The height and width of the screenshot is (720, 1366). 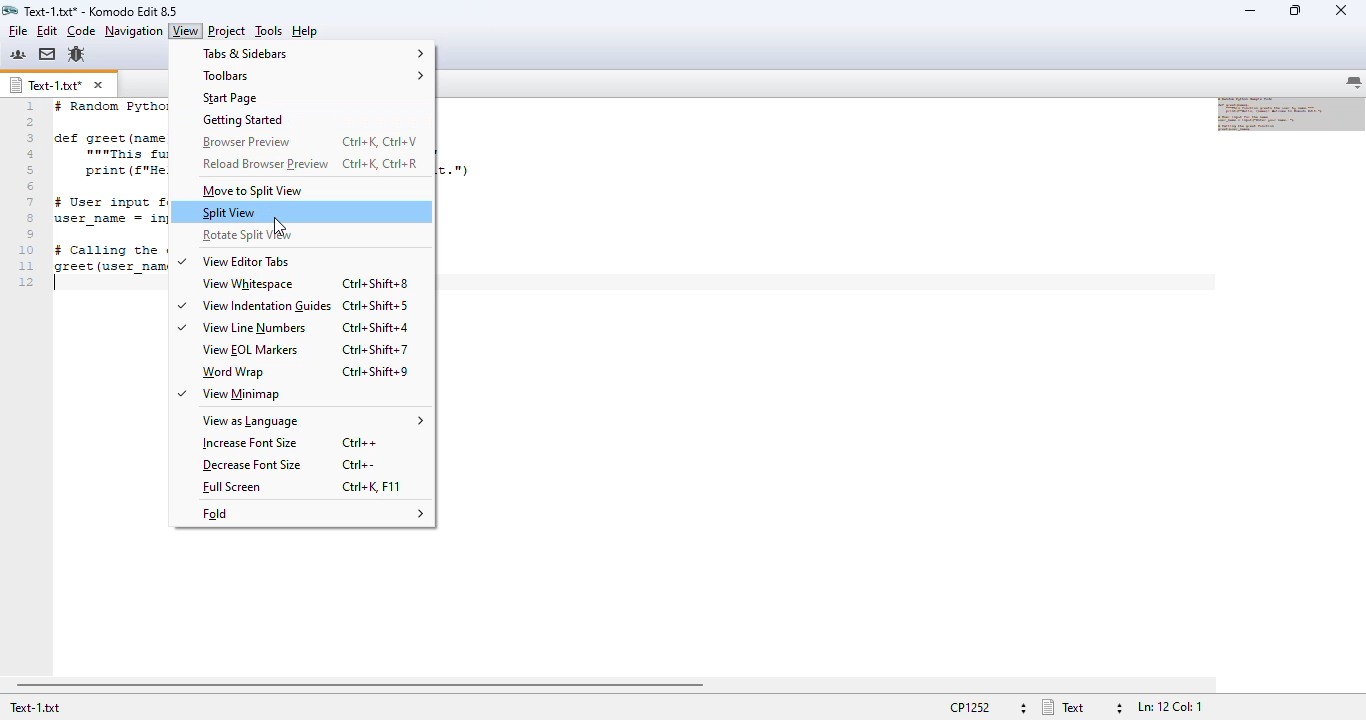 I want to click on title - Text-1.txt- Komodo Edit 8.5, so click(x=102, y=10).